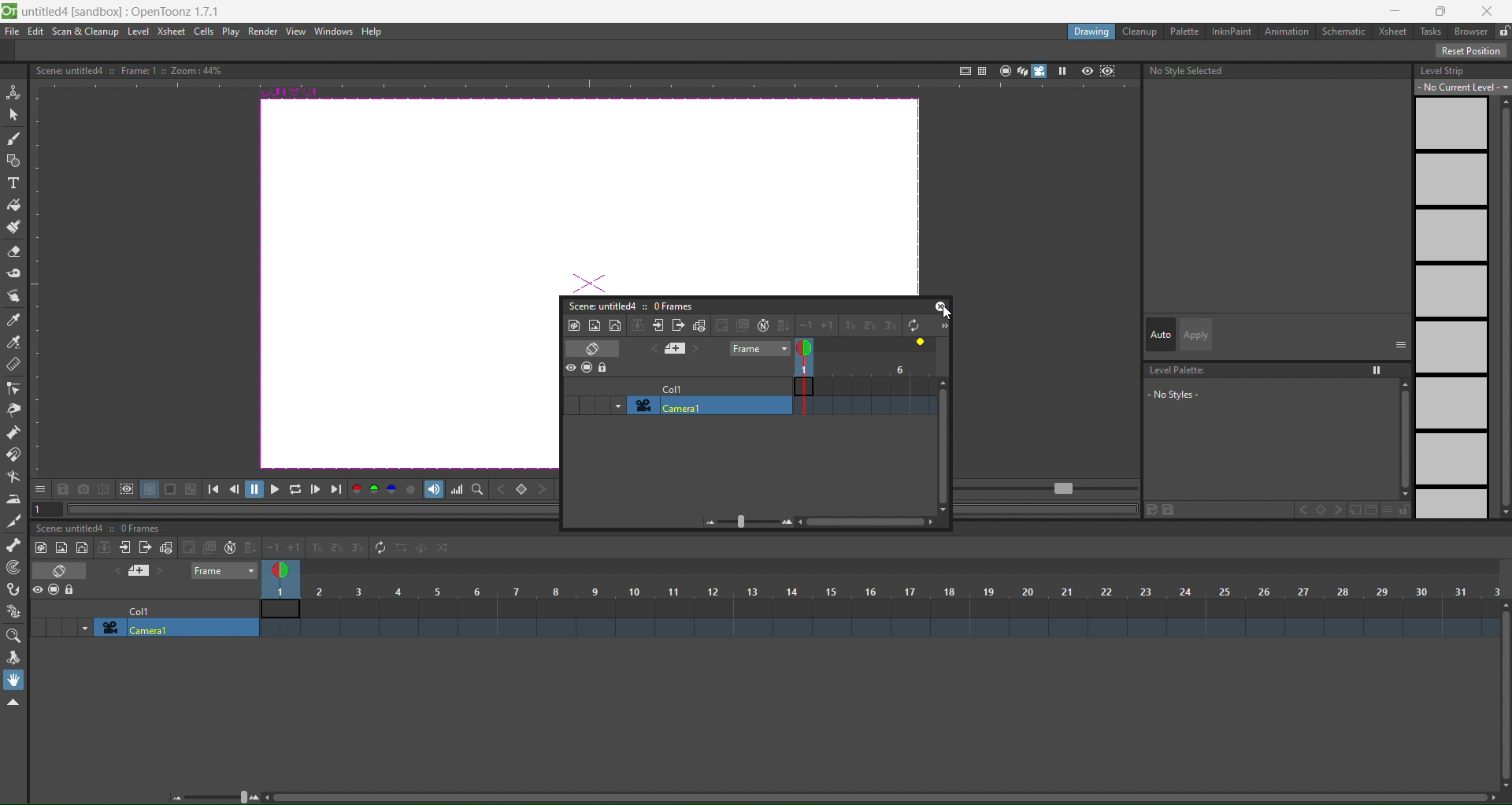 The image size is (1512, 805). What do you see at coordinates (1232, 30) in the screenshot?
I see `inknpaint` at bounding box center [1232, 30].